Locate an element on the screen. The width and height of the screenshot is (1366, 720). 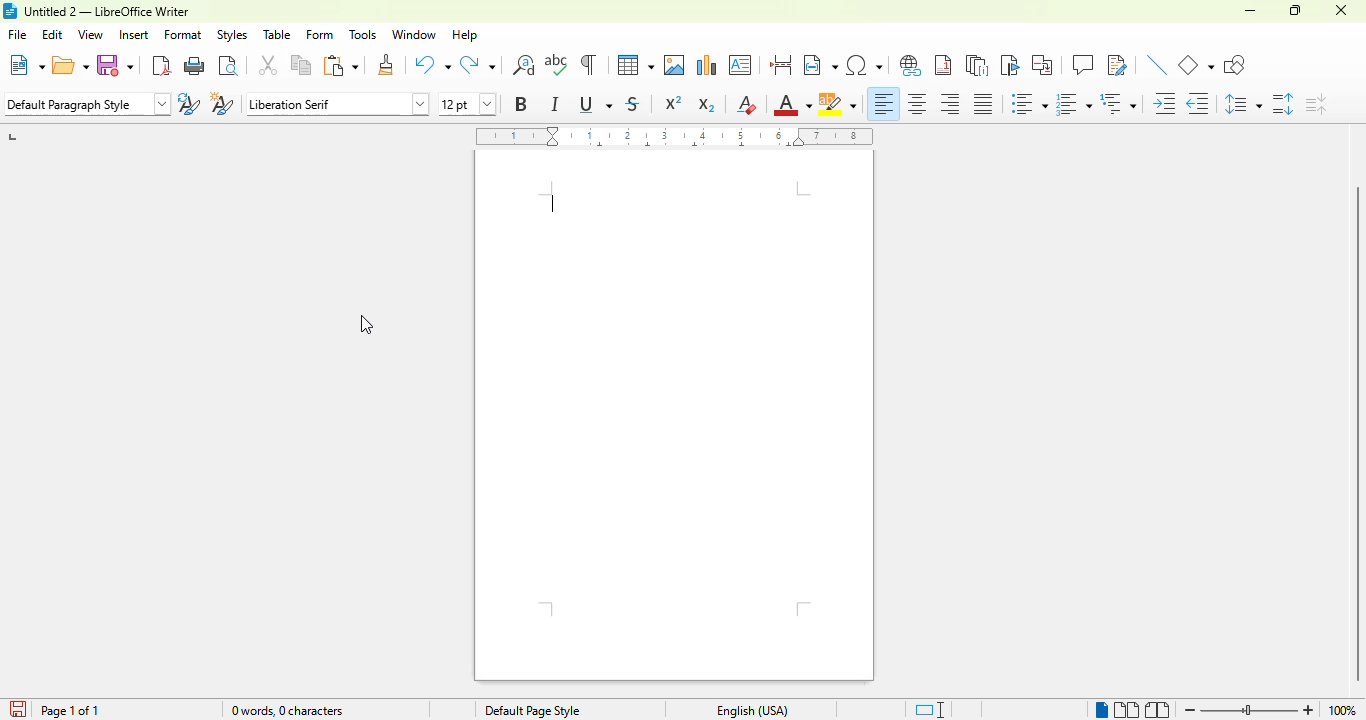
character highlighting color is located at coordinates (838, 106).